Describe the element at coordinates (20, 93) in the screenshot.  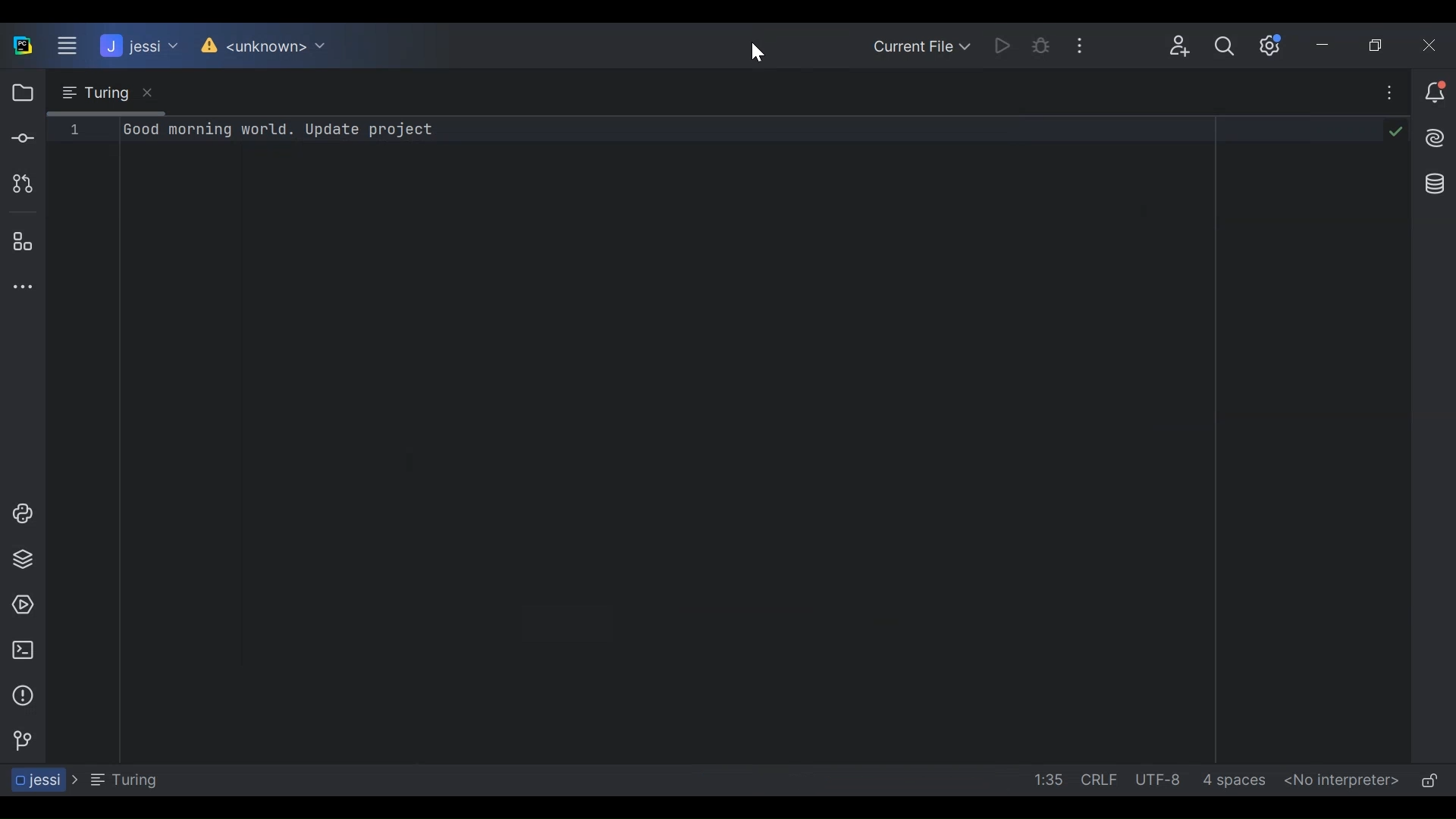
I see `Project View` at that location.